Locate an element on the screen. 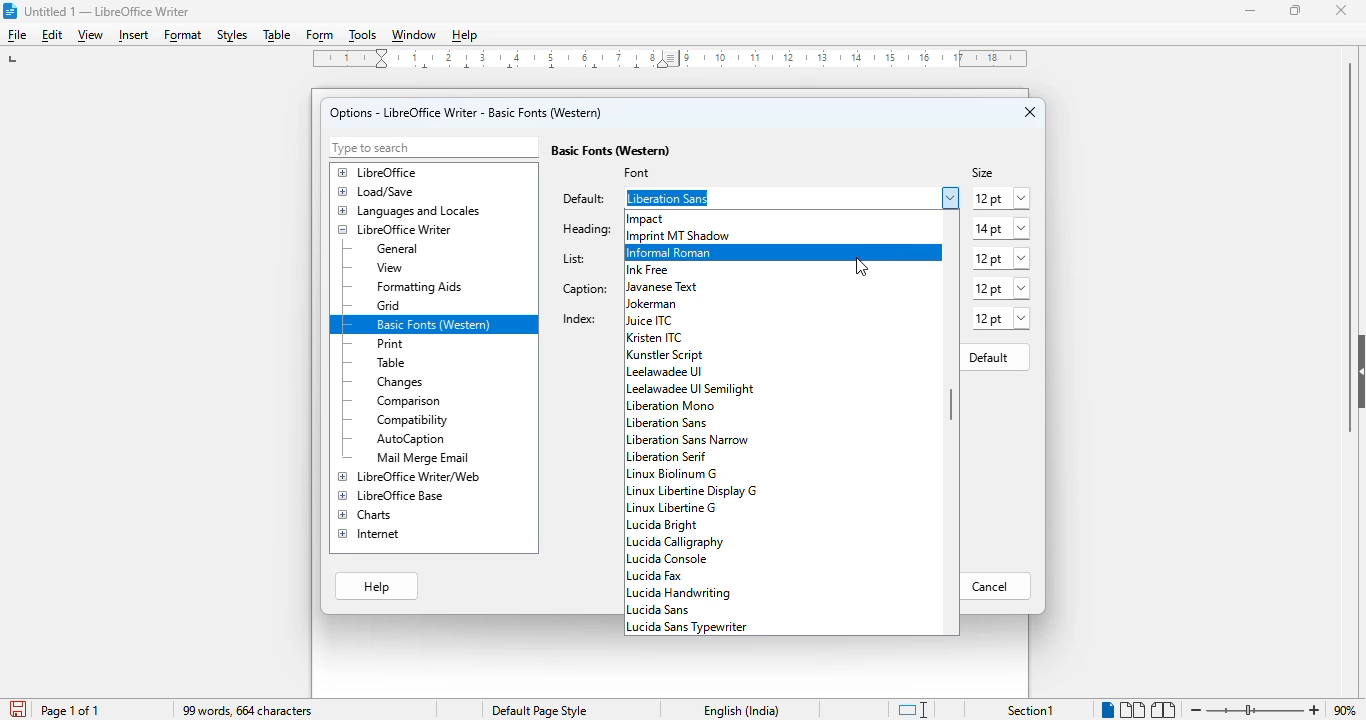  changes is located at coordinates (399, 383).